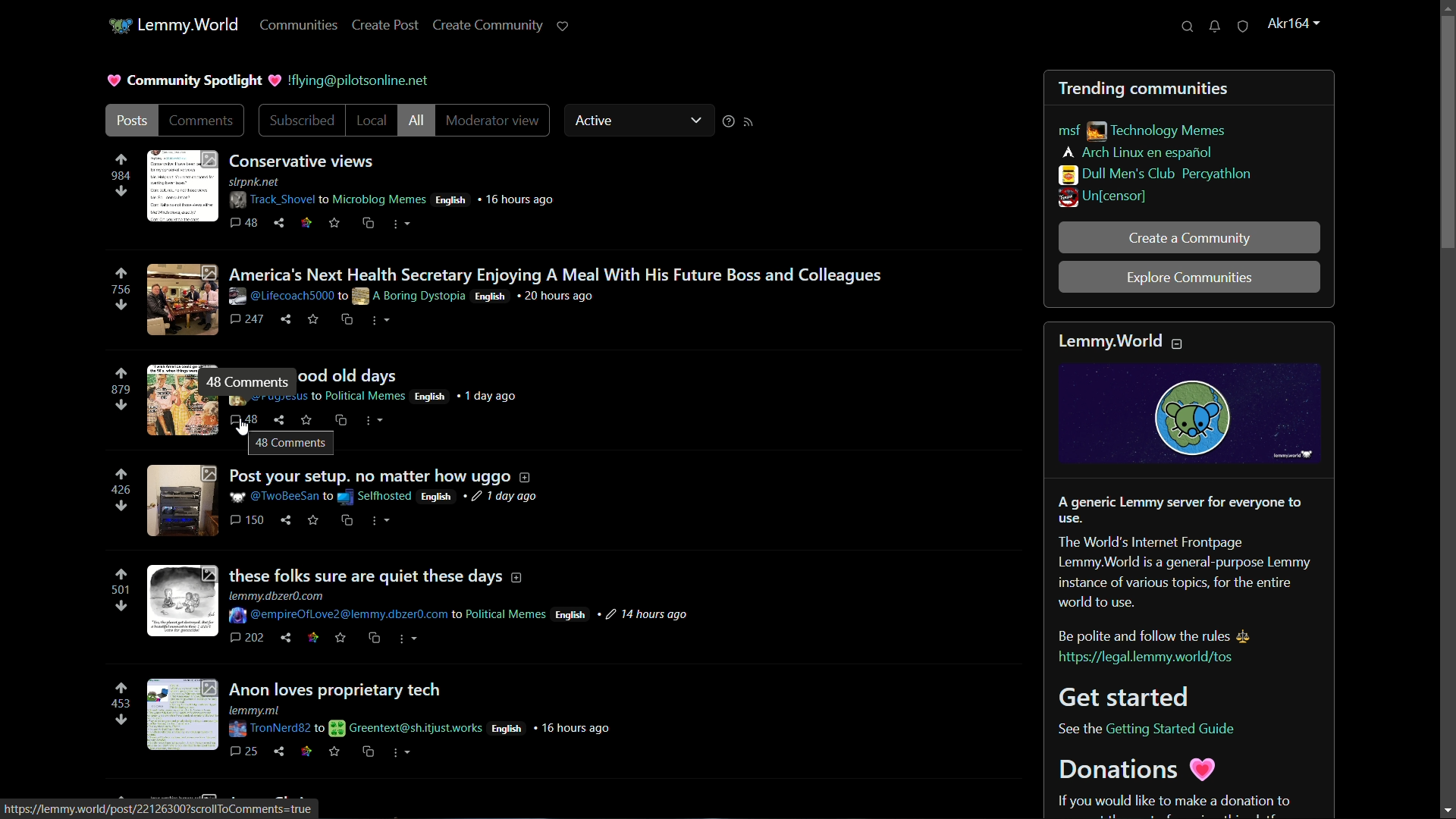 Image resolution: width=1456 pixels, height=819 pixels. Describe the element at coordinates (384, 26) in the screenshot. I see `create post` at that location.